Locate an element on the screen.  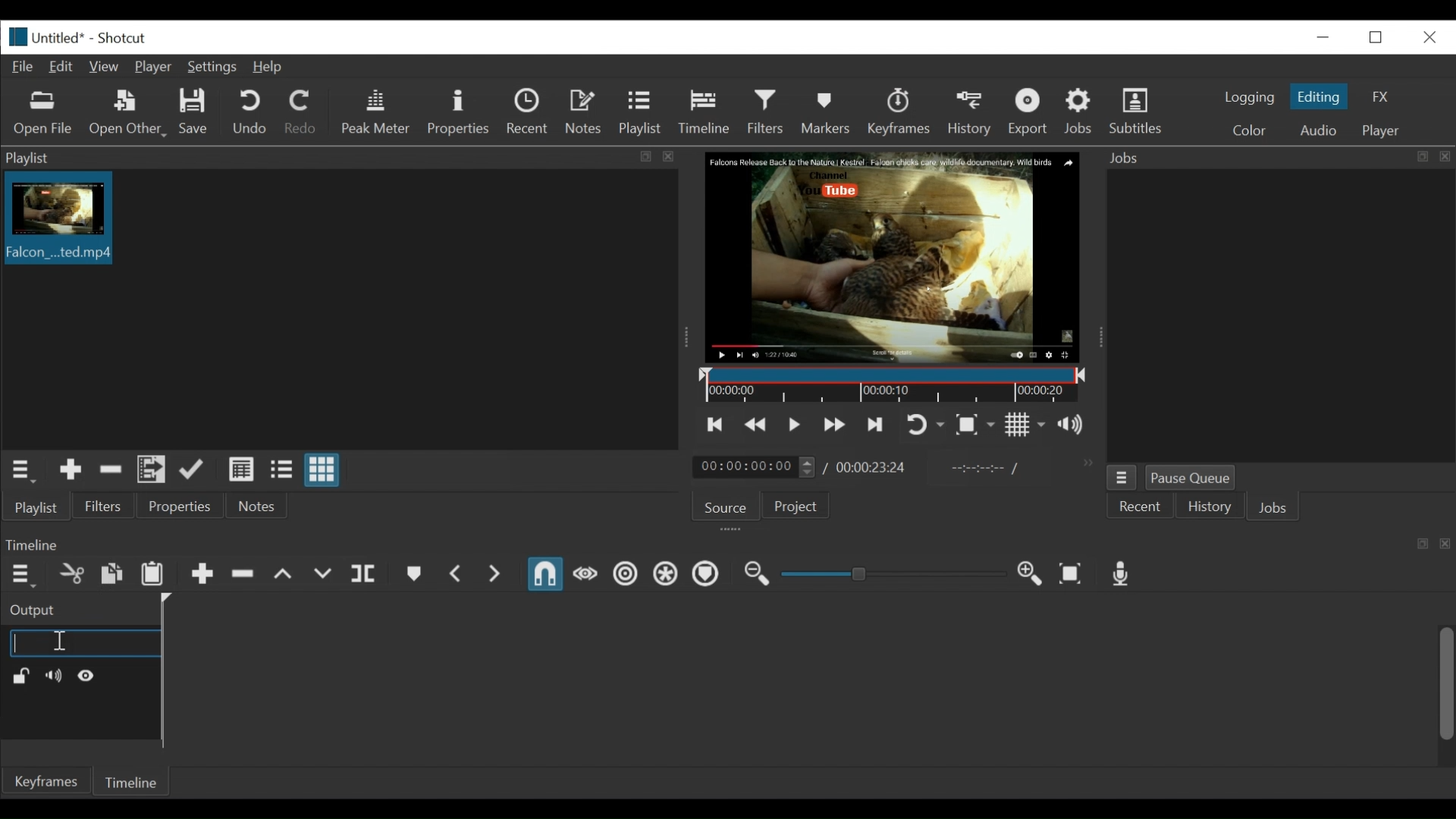
View as detail is located at coordinates (240, 472).